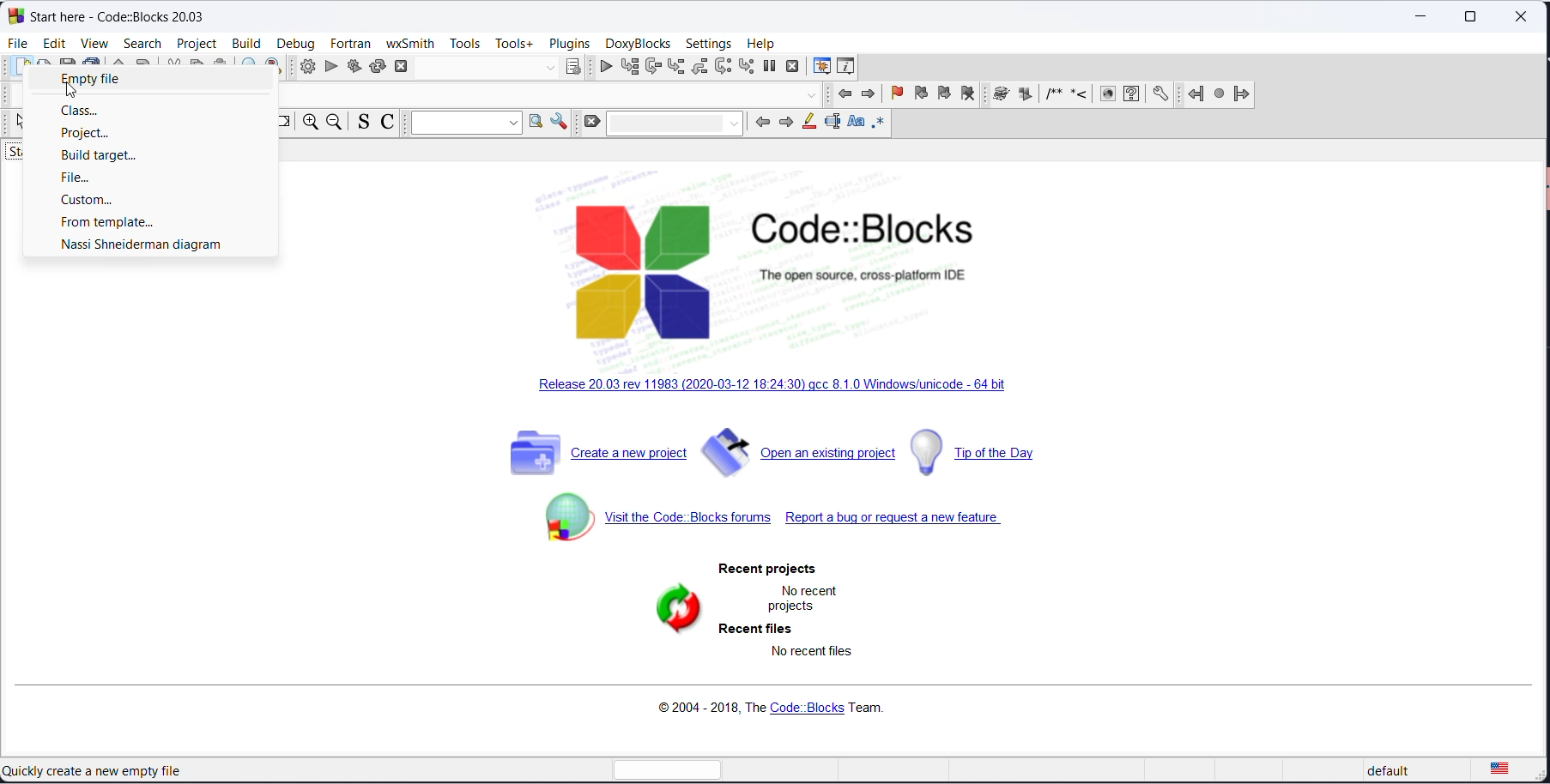  I want to click on Fortran, so click(352, 43).